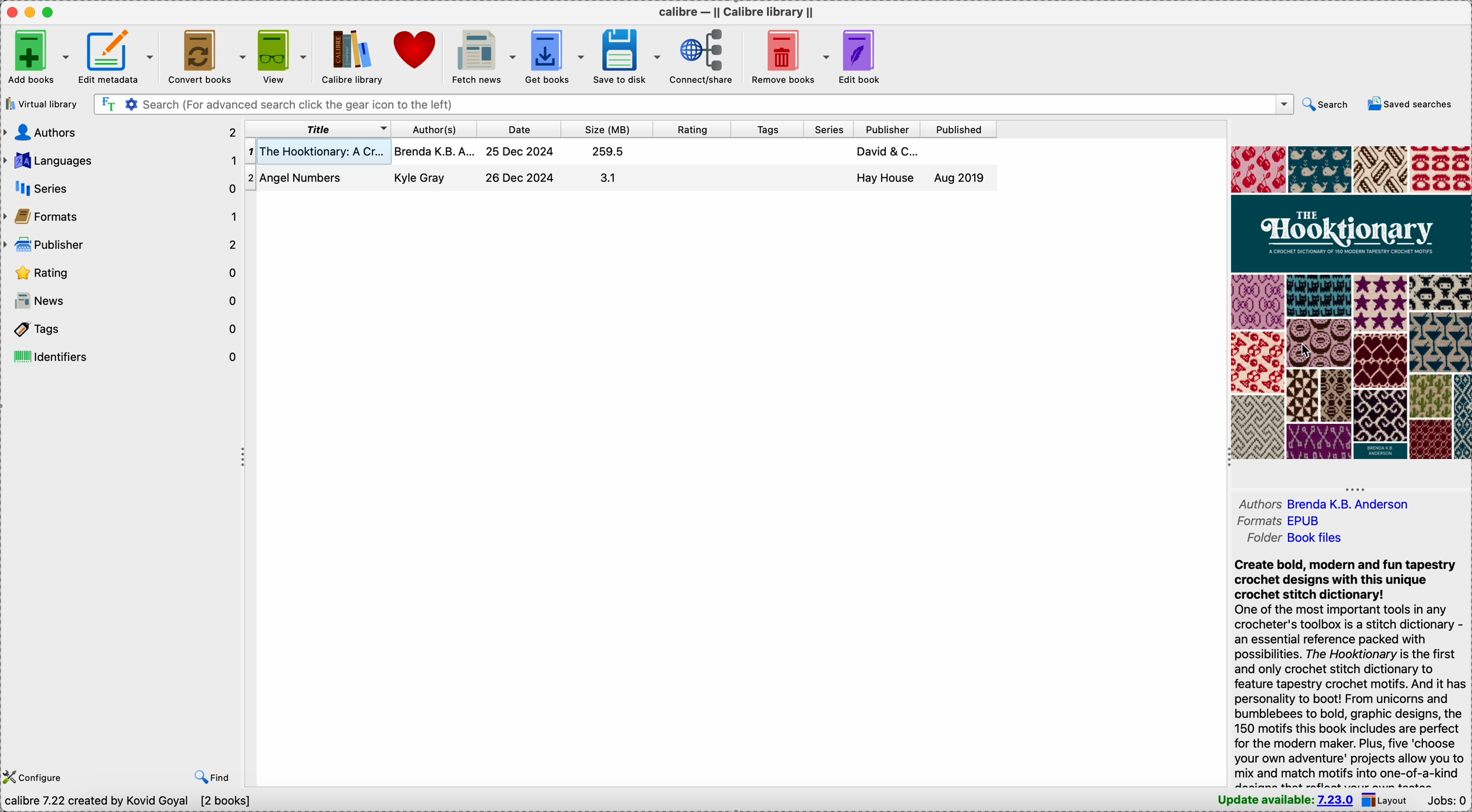  What do you see at coordinates (38, 56) in the screenshot?
I see `add books` at bounding box center [38, 56].